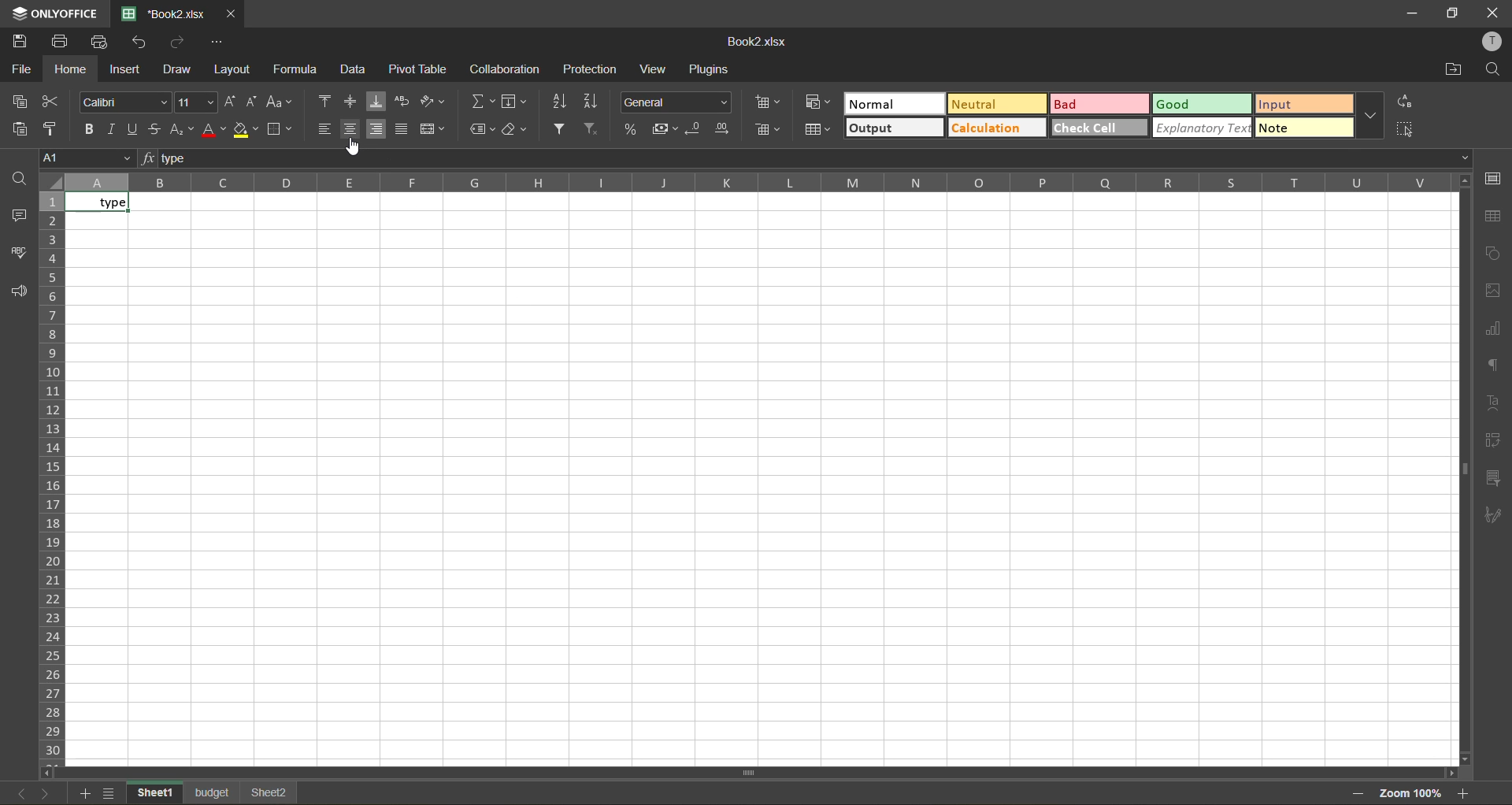 This screenshot has width=1512, height=805. I want to click on spellcheck, so click(16, 252).